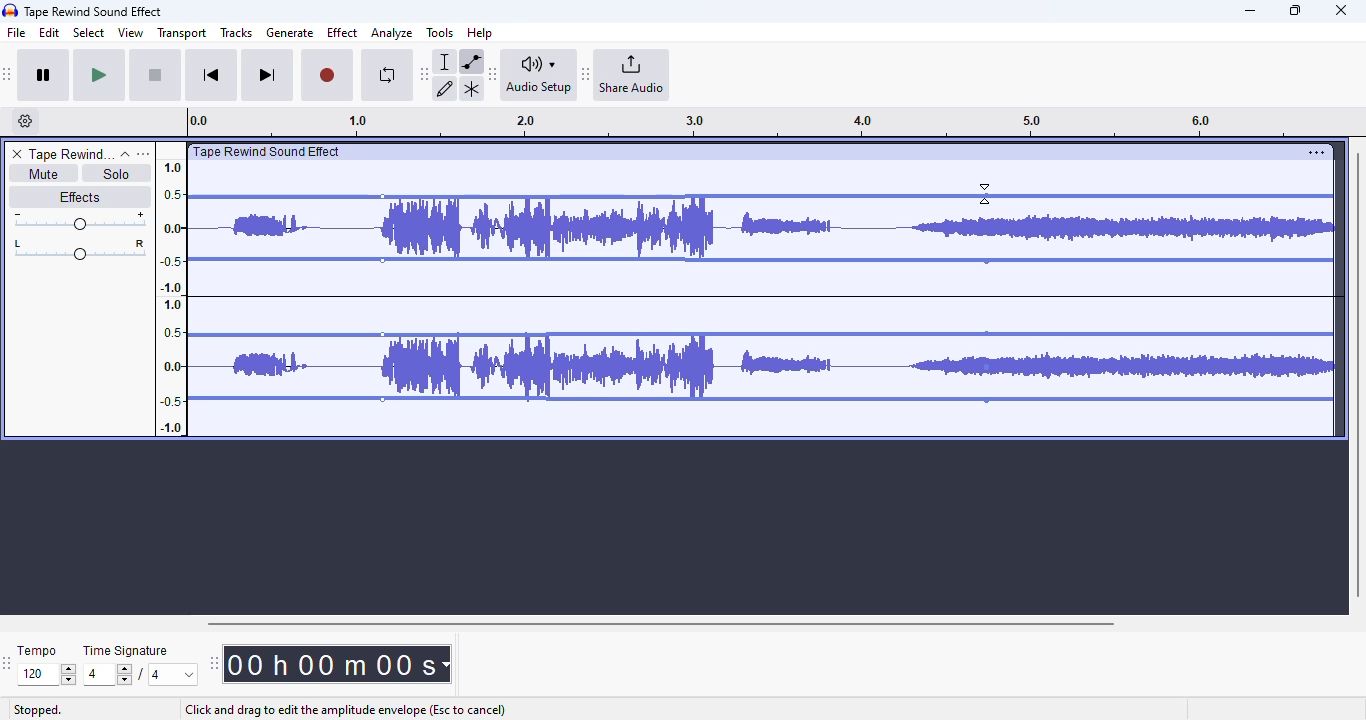 The width and height of the screenshot is (1366, 720). I want to click on timeline options, so click(26, 121).